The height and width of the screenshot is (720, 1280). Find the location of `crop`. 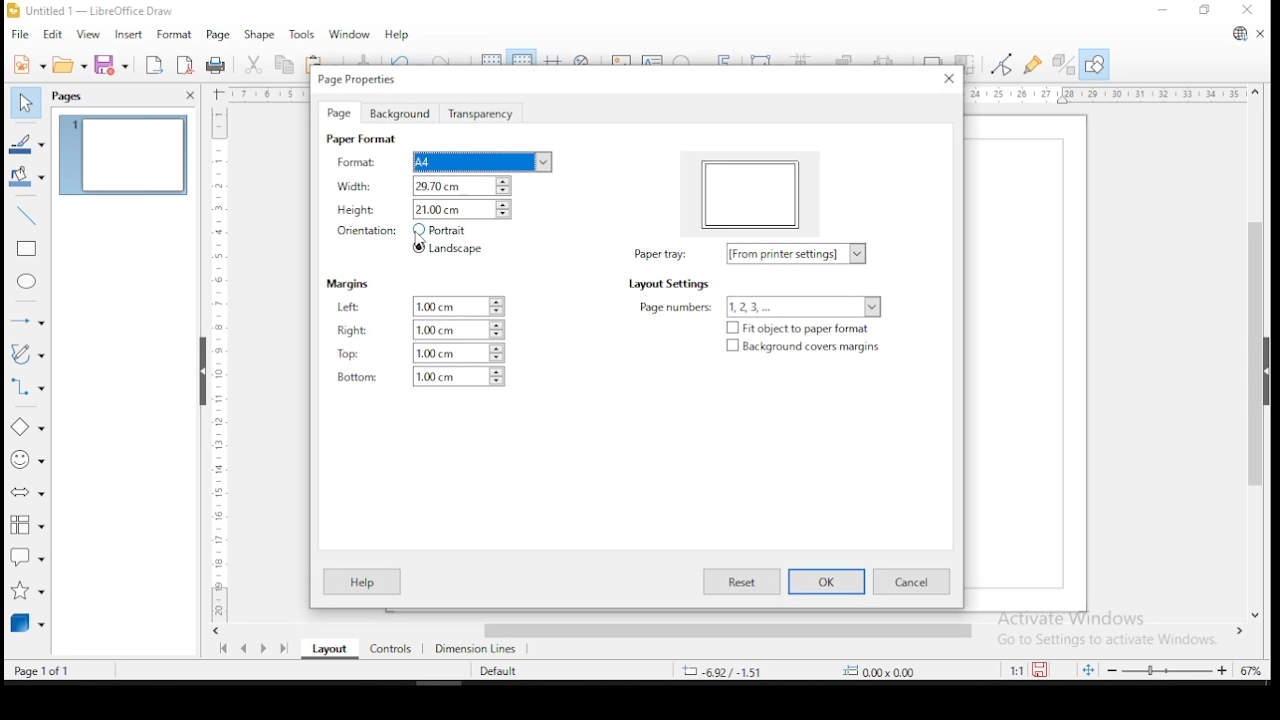

crop is located at coordinates (965, 64).